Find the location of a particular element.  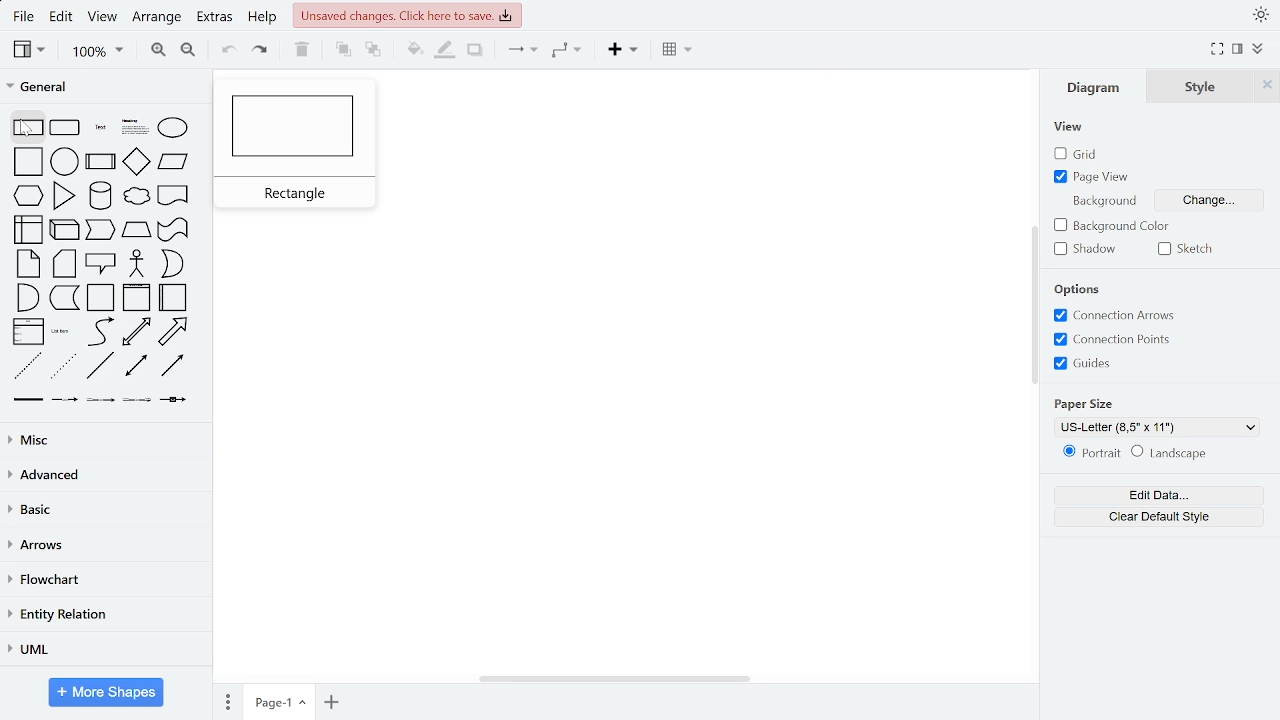

basic is located at coordinates (105, 513).